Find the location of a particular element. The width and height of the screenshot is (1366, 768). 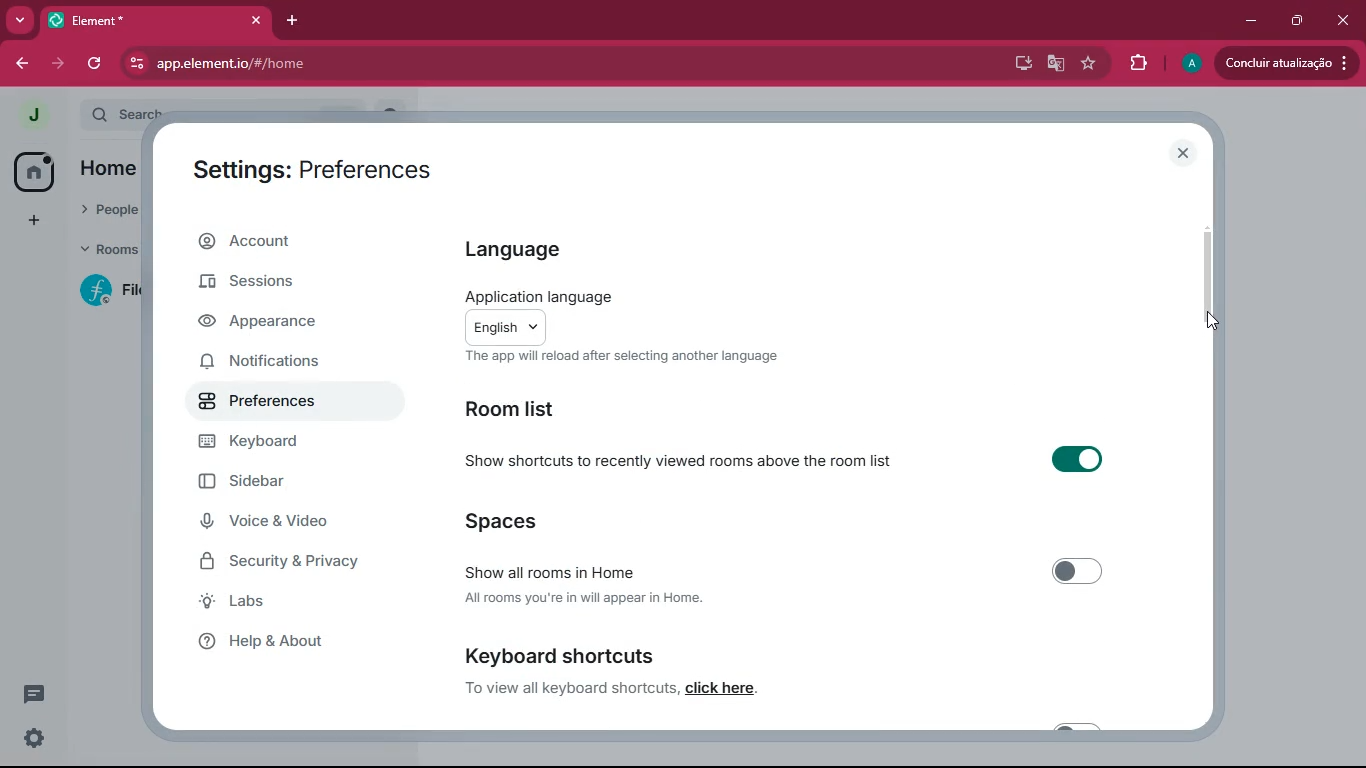

close is located at coordinates (1342, 17).